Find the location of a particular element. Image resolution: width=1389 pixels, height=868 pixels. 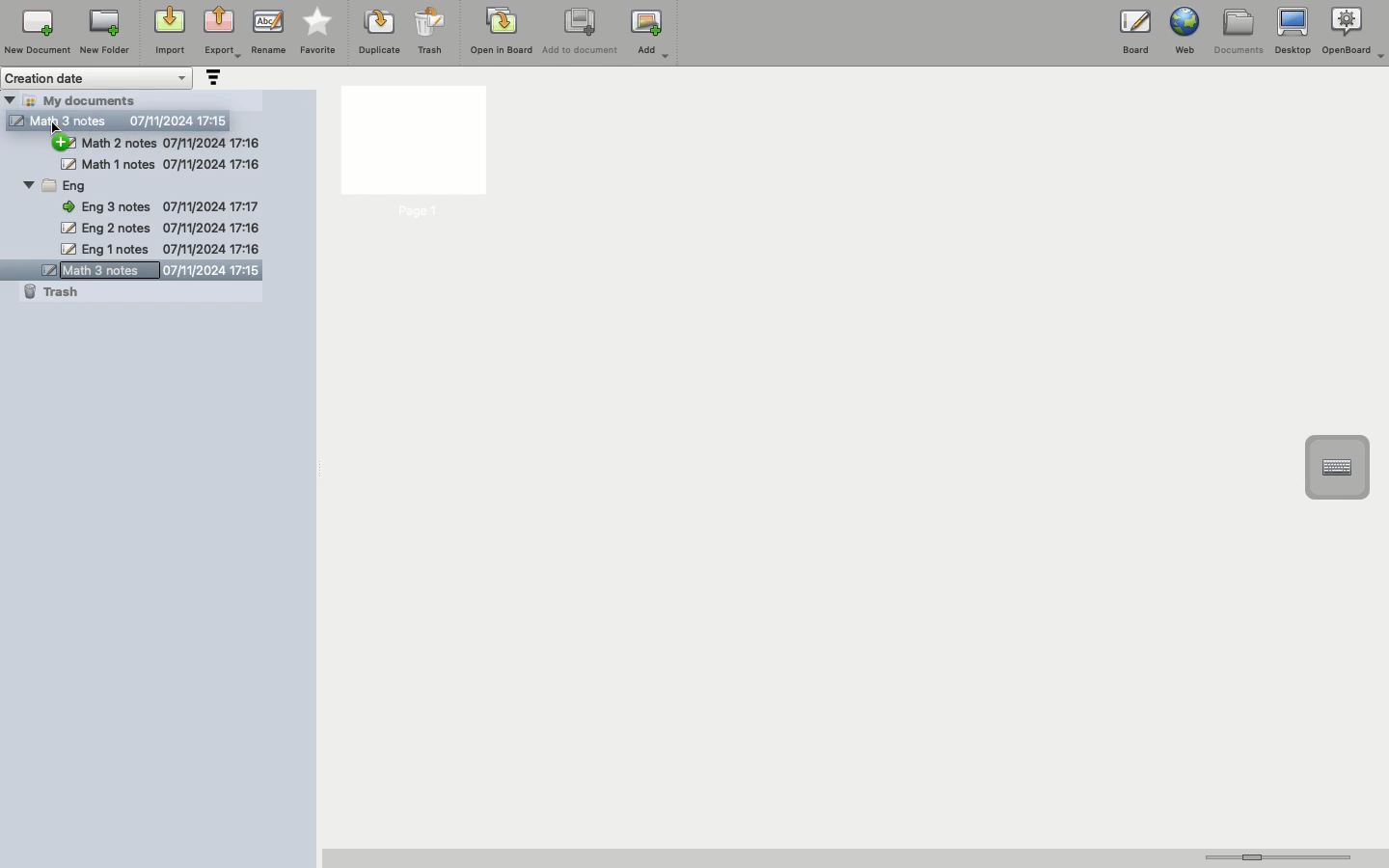

Import is located at coordinates (168, 32).